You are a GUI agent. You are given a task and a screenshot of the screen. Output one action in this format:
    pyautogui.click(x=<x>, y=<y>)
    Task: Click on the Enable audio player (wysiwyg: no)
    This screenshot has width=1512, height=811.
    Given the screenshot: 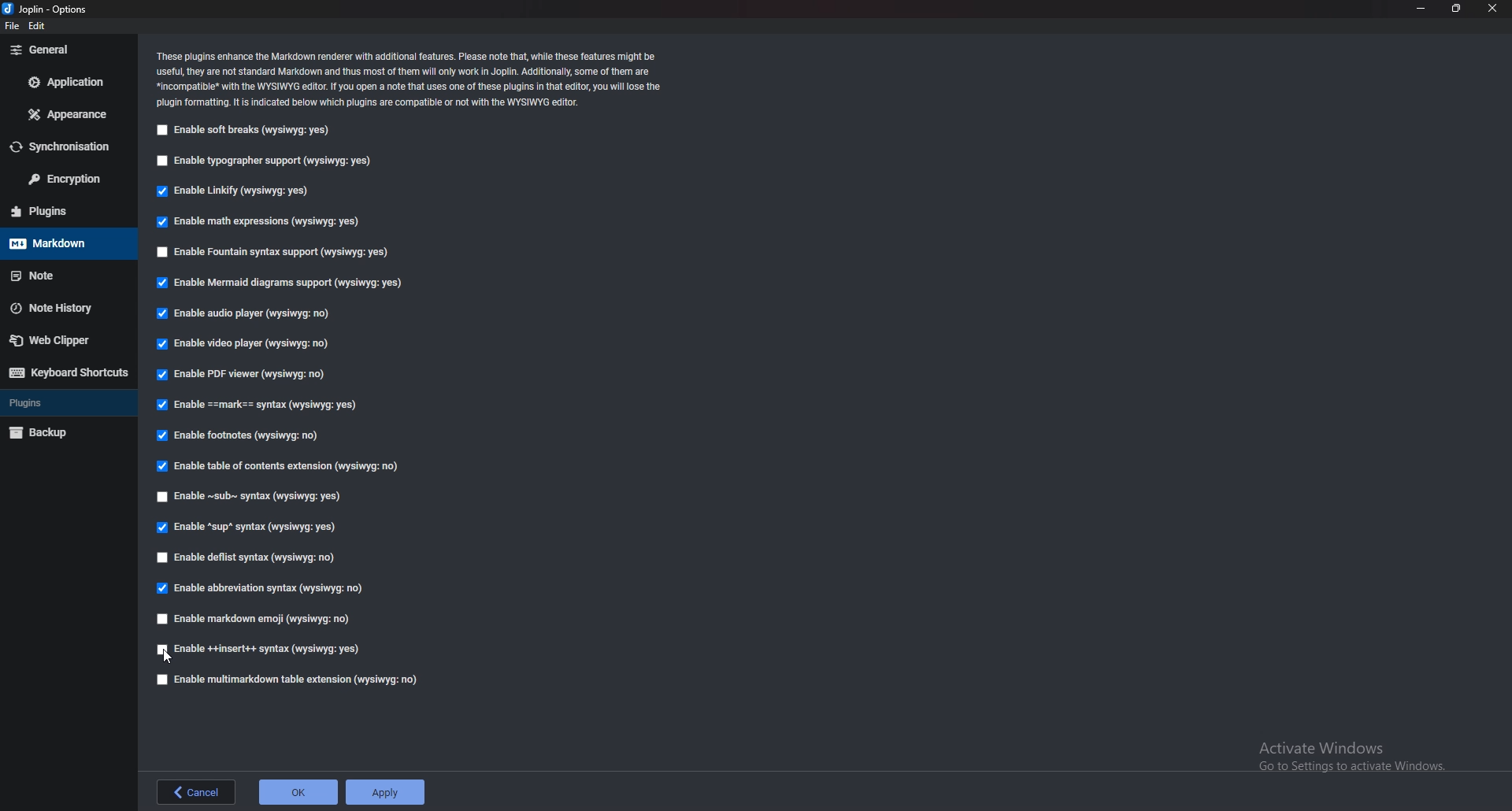 What is the action you would take?
    pyautogui.click(x=249, y=313)
    